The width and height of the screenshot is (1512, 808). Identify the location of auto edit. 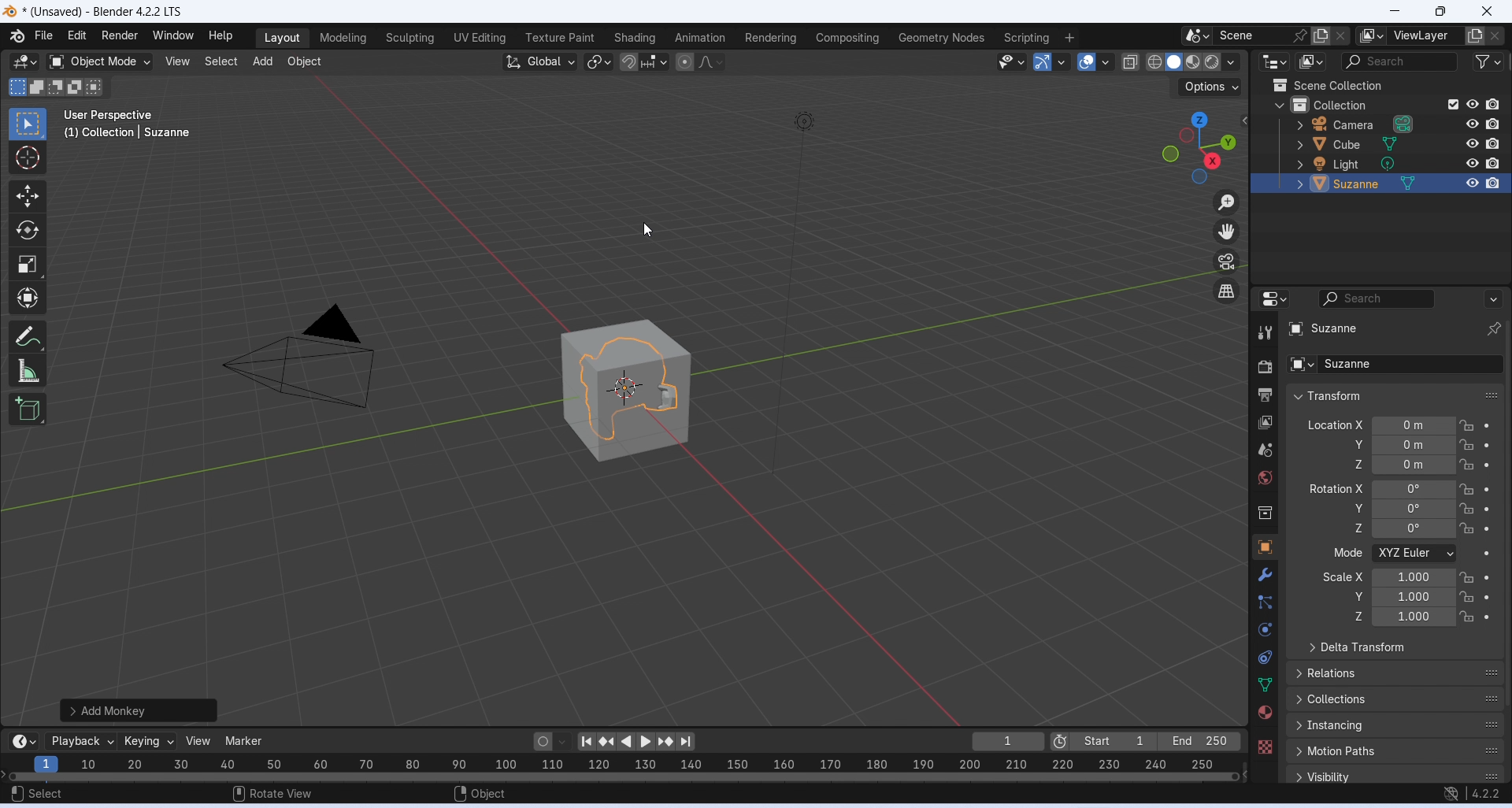
(552, 740).